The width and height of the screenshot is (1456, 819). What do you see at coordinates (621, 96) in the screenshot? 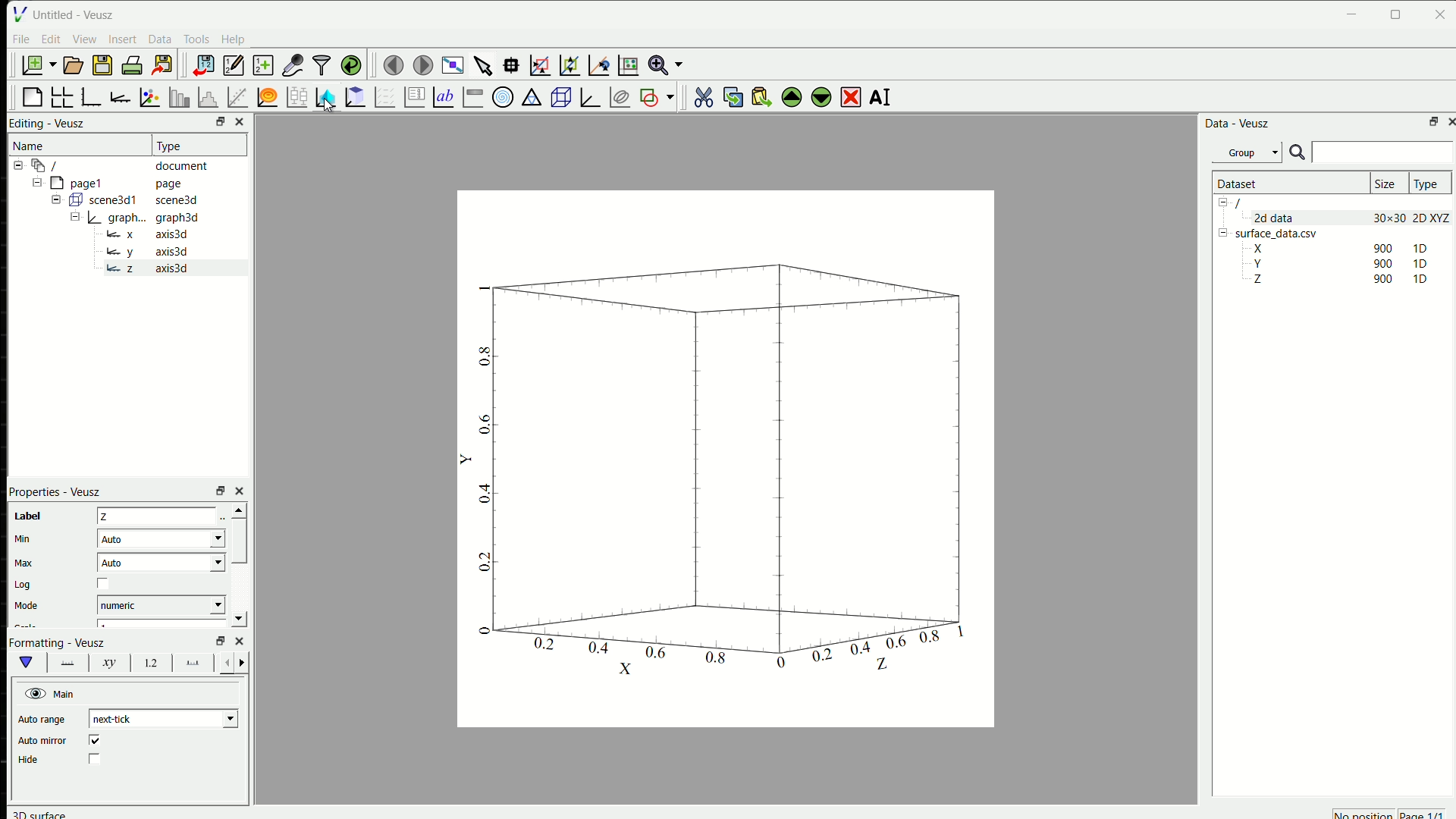
I see `plot covariance ellipses ` at bounding box center [621, 96].